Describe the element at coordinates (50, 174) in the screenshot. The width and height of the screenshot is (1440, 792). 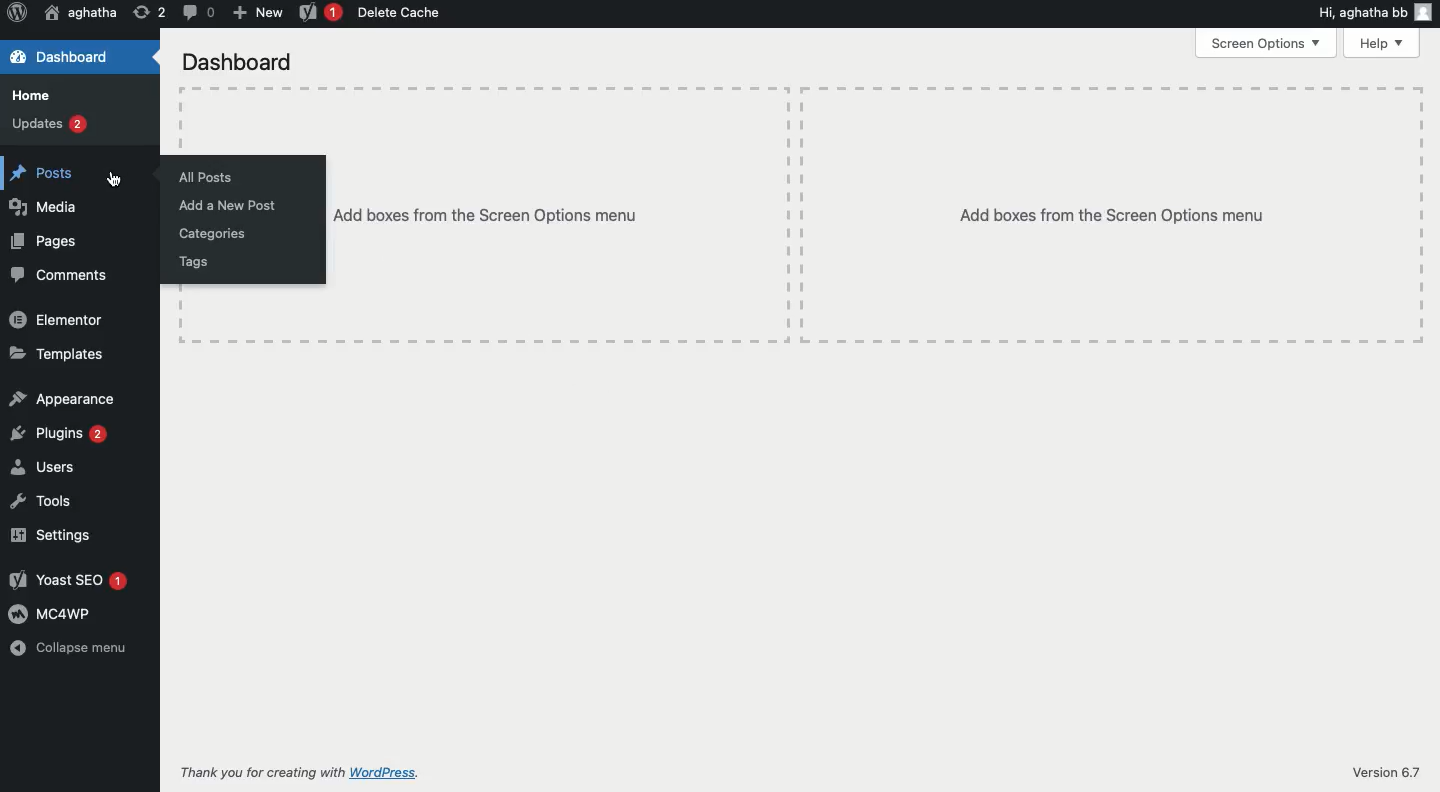
I see `Posts` at that location.